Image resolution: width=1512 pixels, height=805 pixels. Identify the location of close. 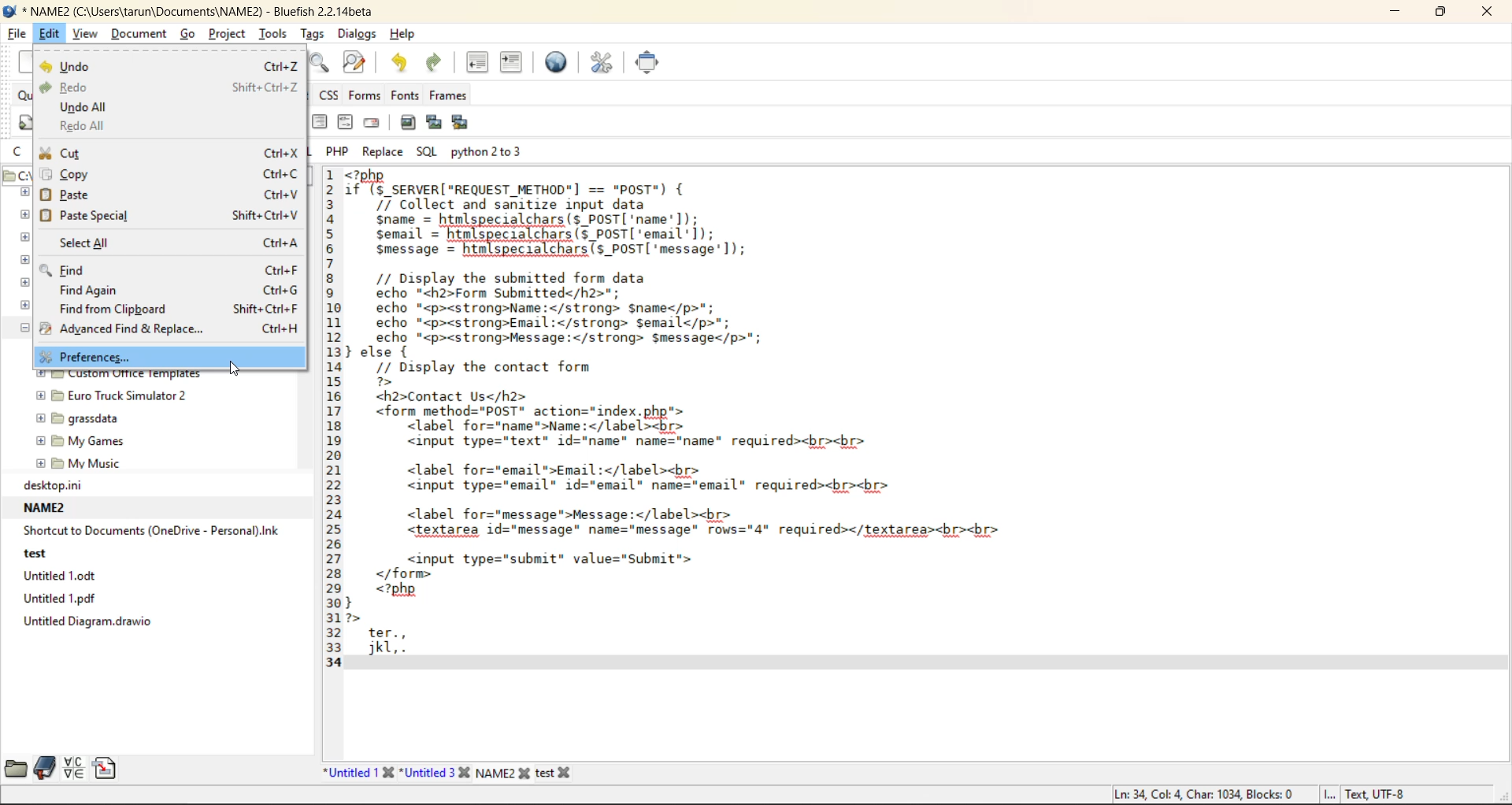
(1492, 13).